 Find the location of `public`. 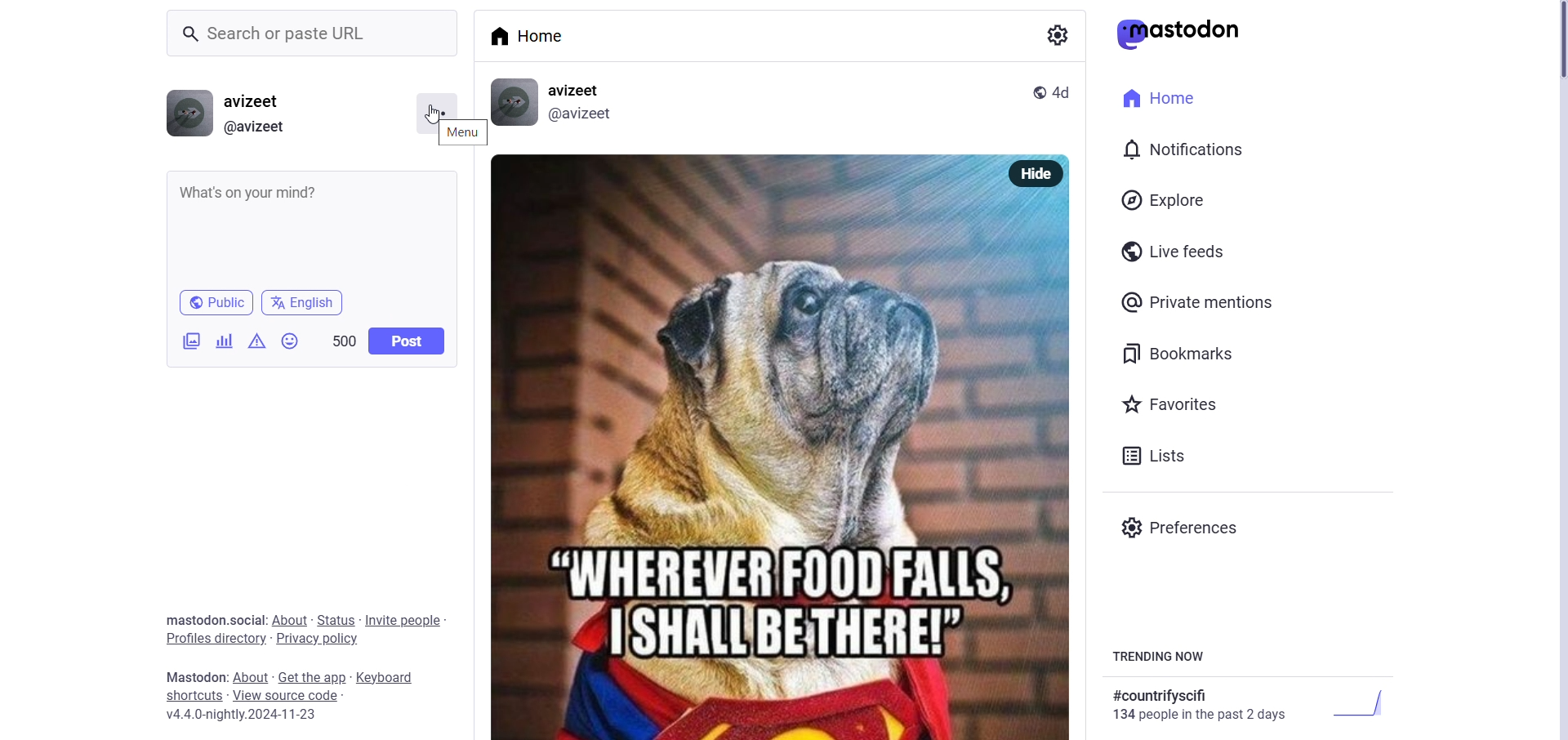

public is located at coordinates (215, 303).